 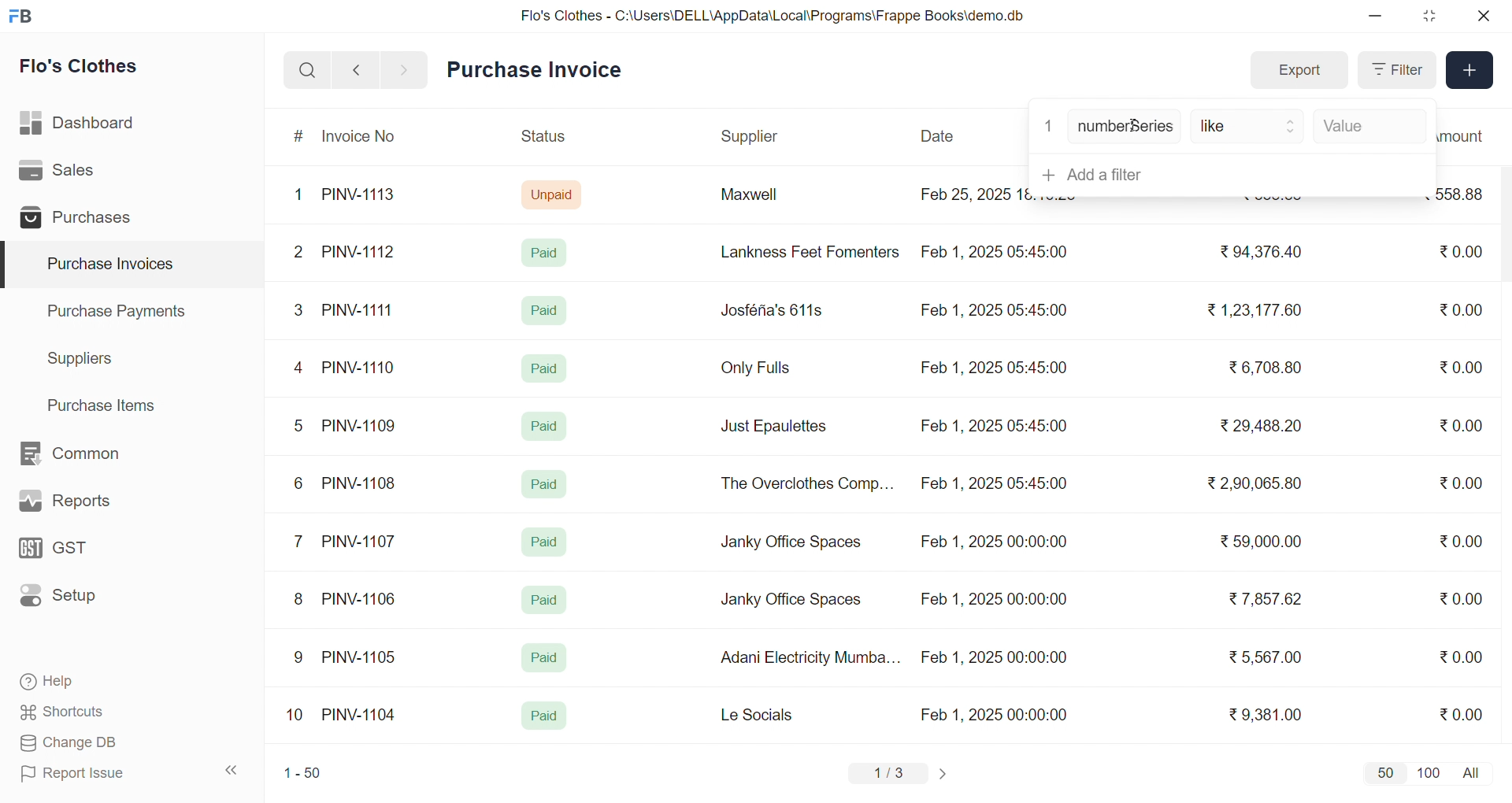 I want to click on cursor, so click(x=1140, y=132).